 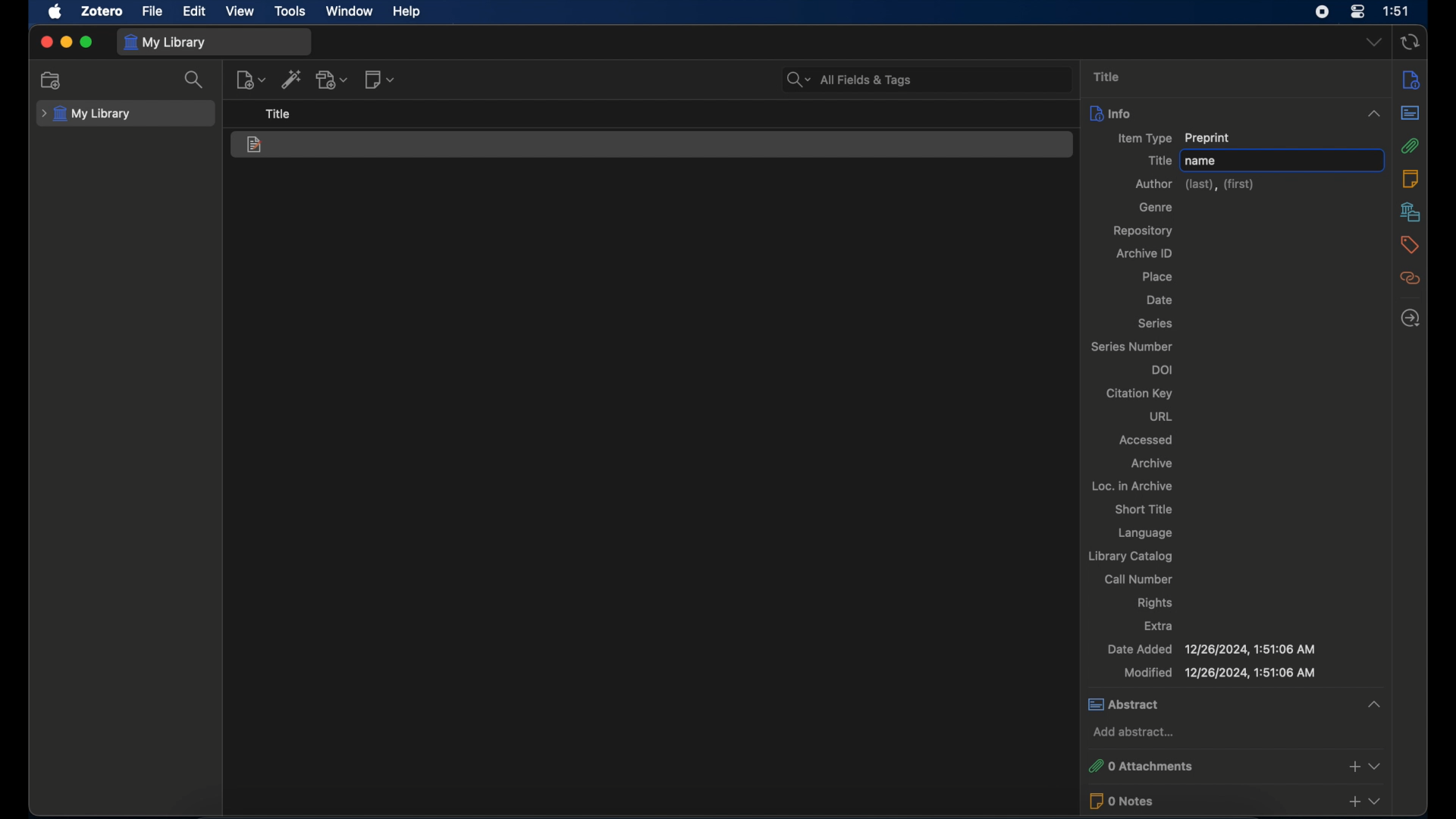 I want to click on extra, so click(x=1157, y=626).